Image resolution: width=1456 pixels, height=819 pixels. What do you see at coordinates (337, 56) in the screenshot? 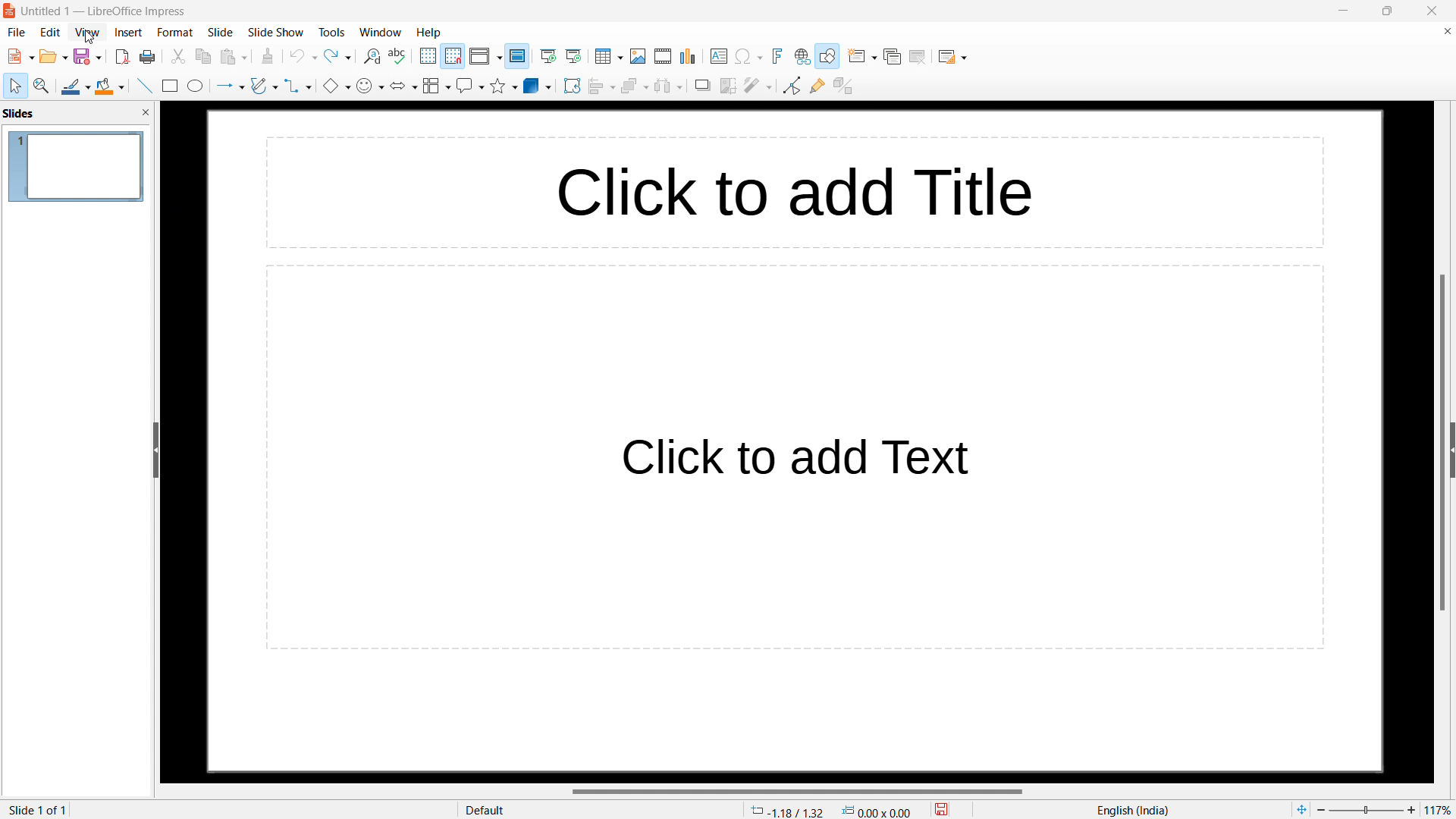
I see `redo` at bounding box center [337, 56].